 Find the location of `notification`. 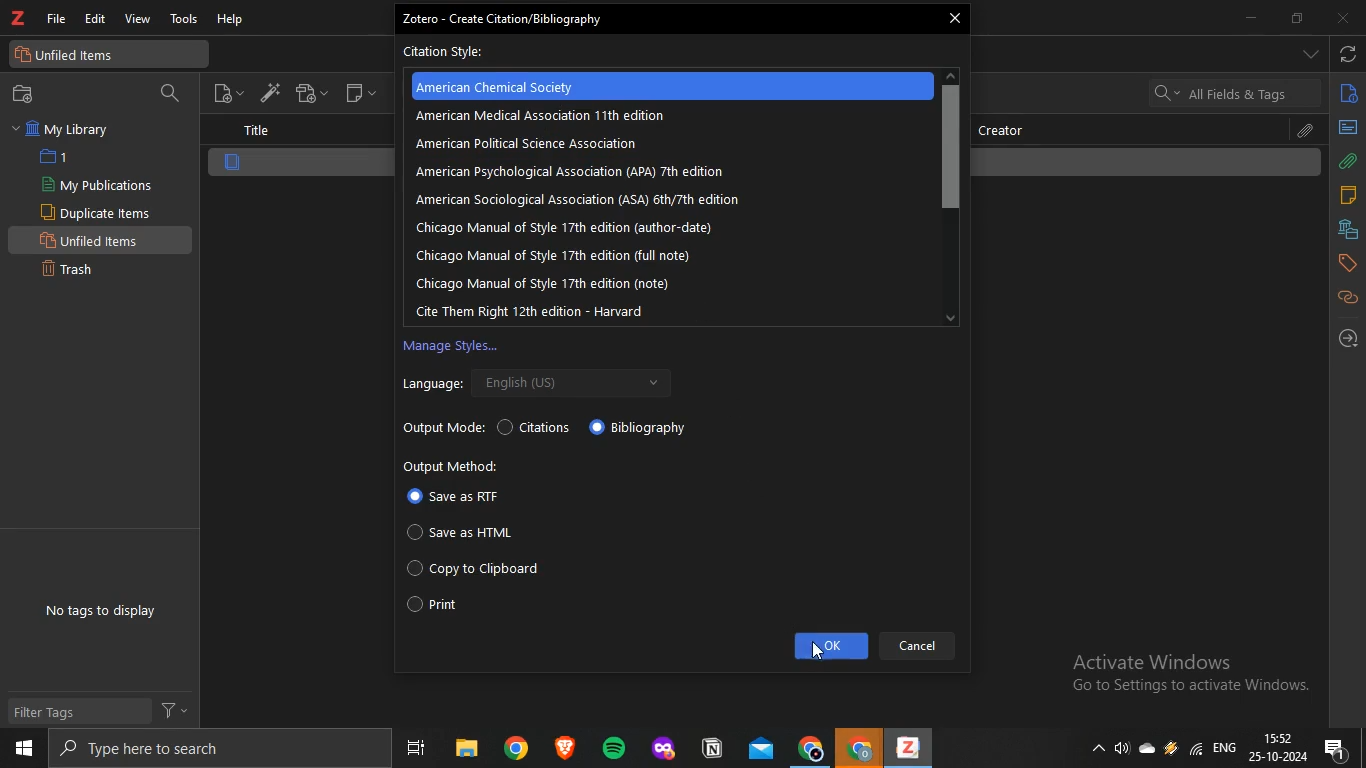

notification is located at coordinates (1337, 748).